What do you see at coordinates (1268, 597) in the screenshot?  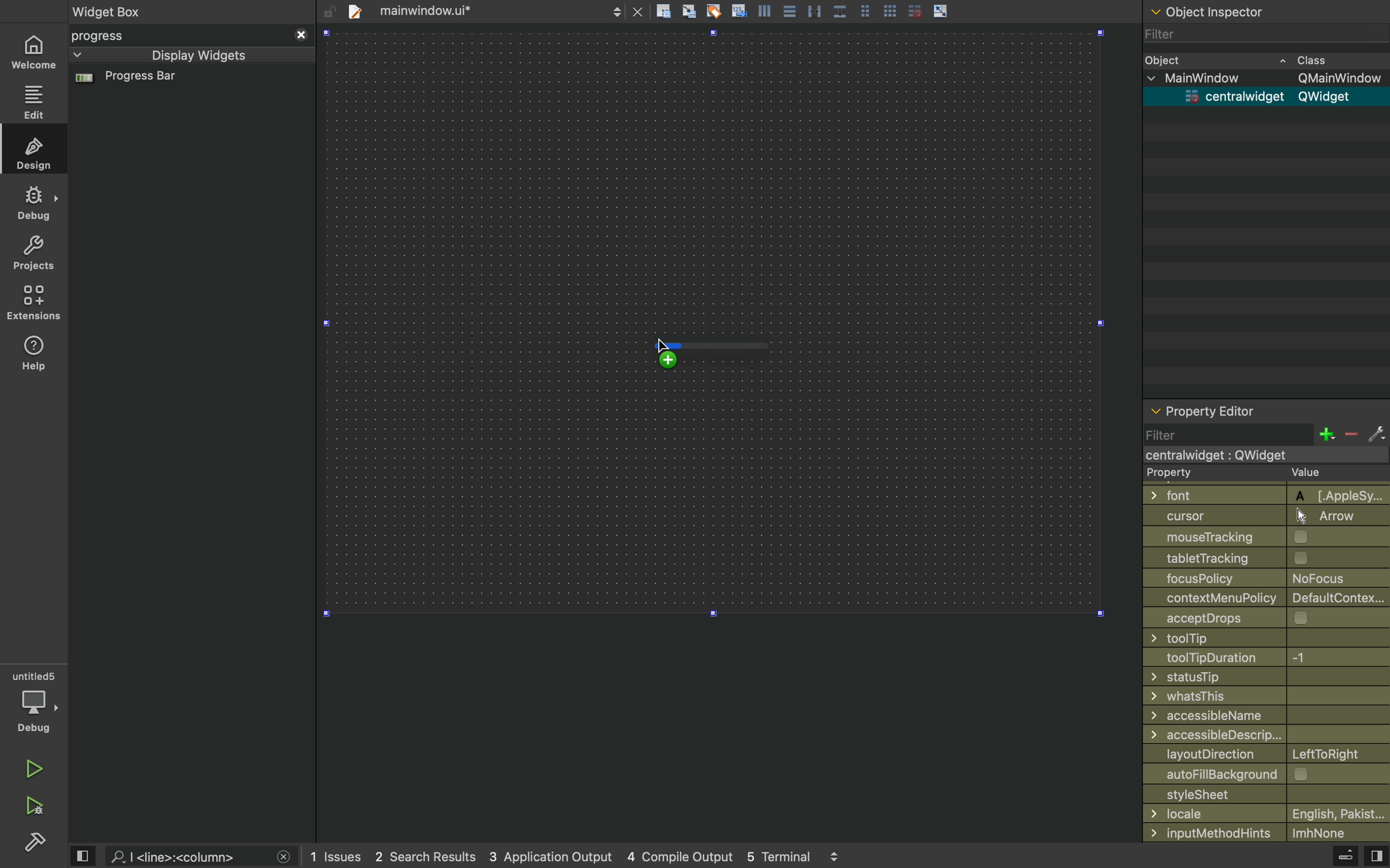 I see `contextmenupolicy` at bounding box center [1268, 597].